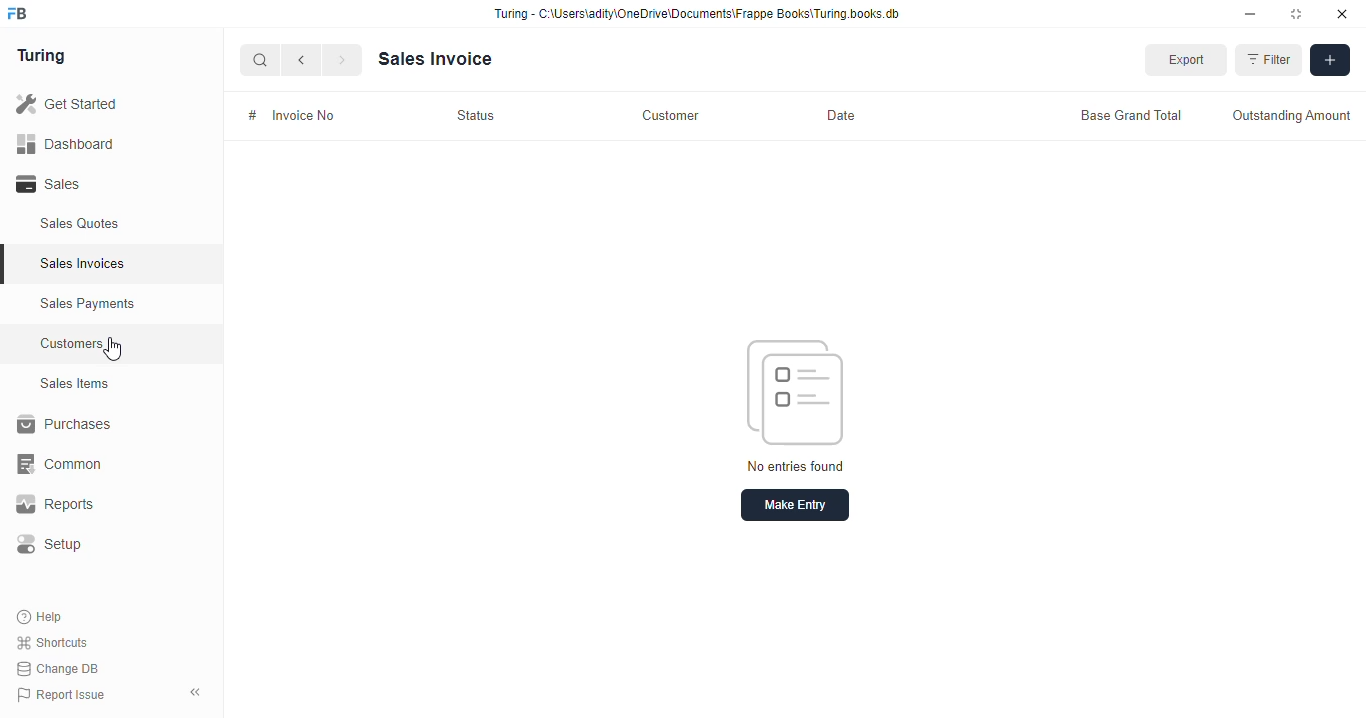 The width and height of the screenshot is (1366, 718). Describe the element at coordinates (1332, 61) in the screenshot. I see `add filters` at that location.